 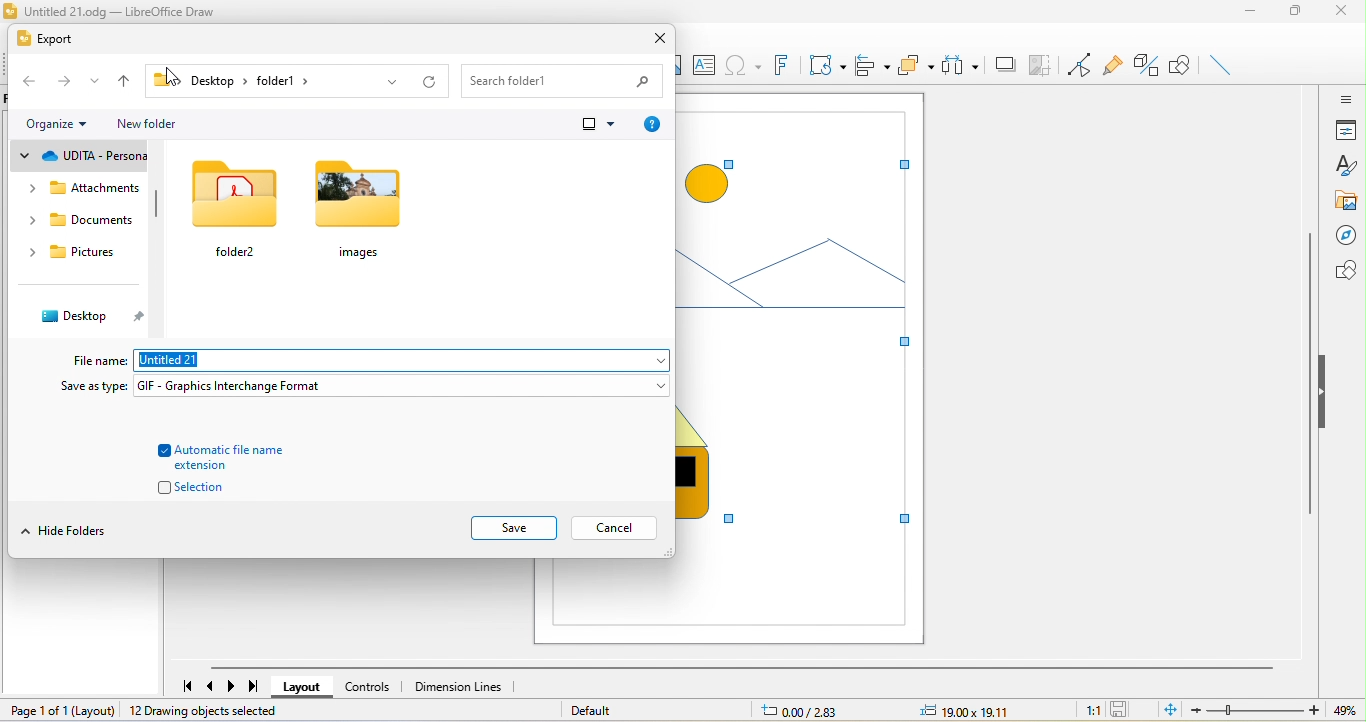 I want to click on navigator, so click(x=1344, y=237).